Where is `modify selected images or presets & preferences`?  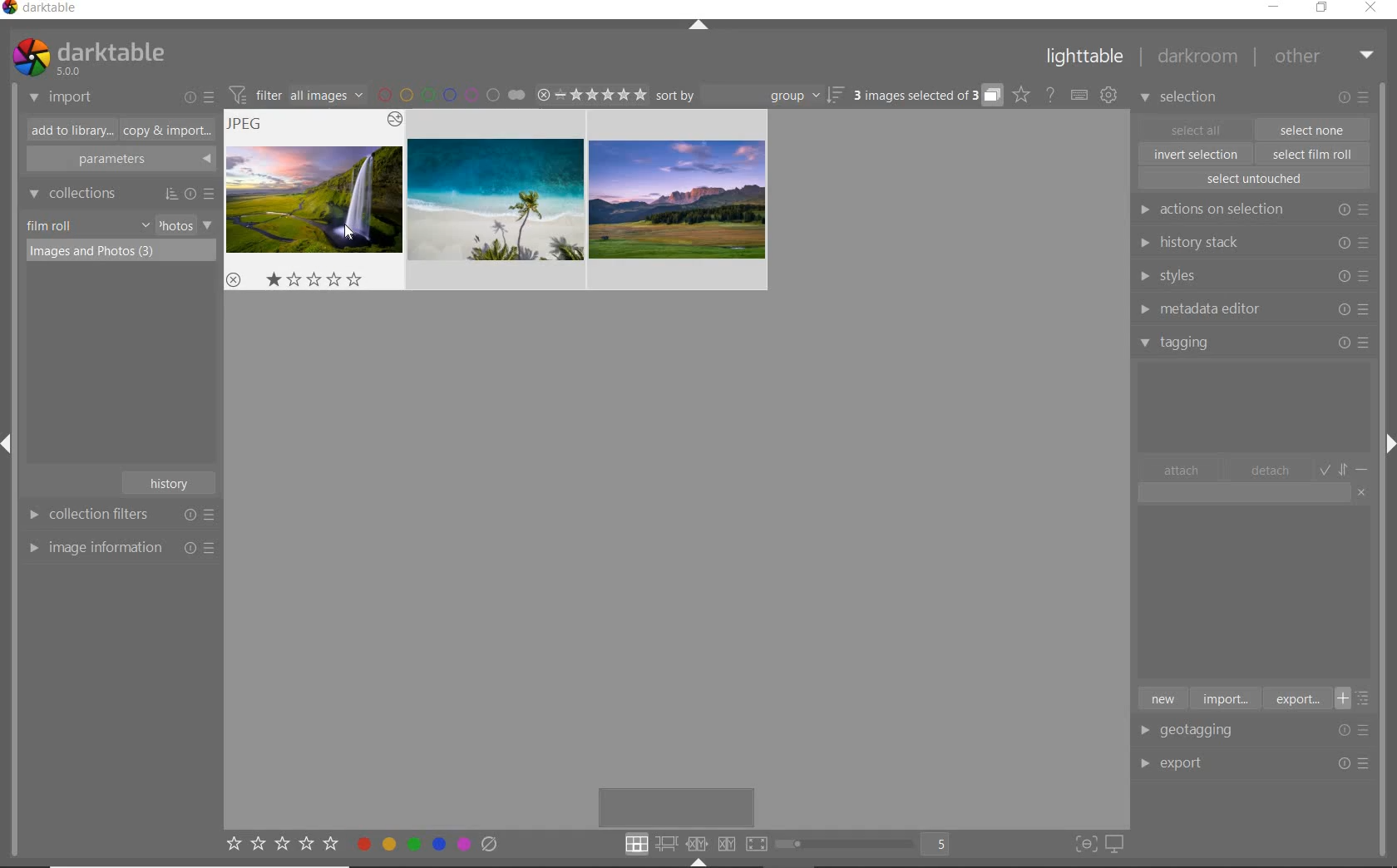 modify selected images or presets & preferences is located at coordinates (1356, 98).